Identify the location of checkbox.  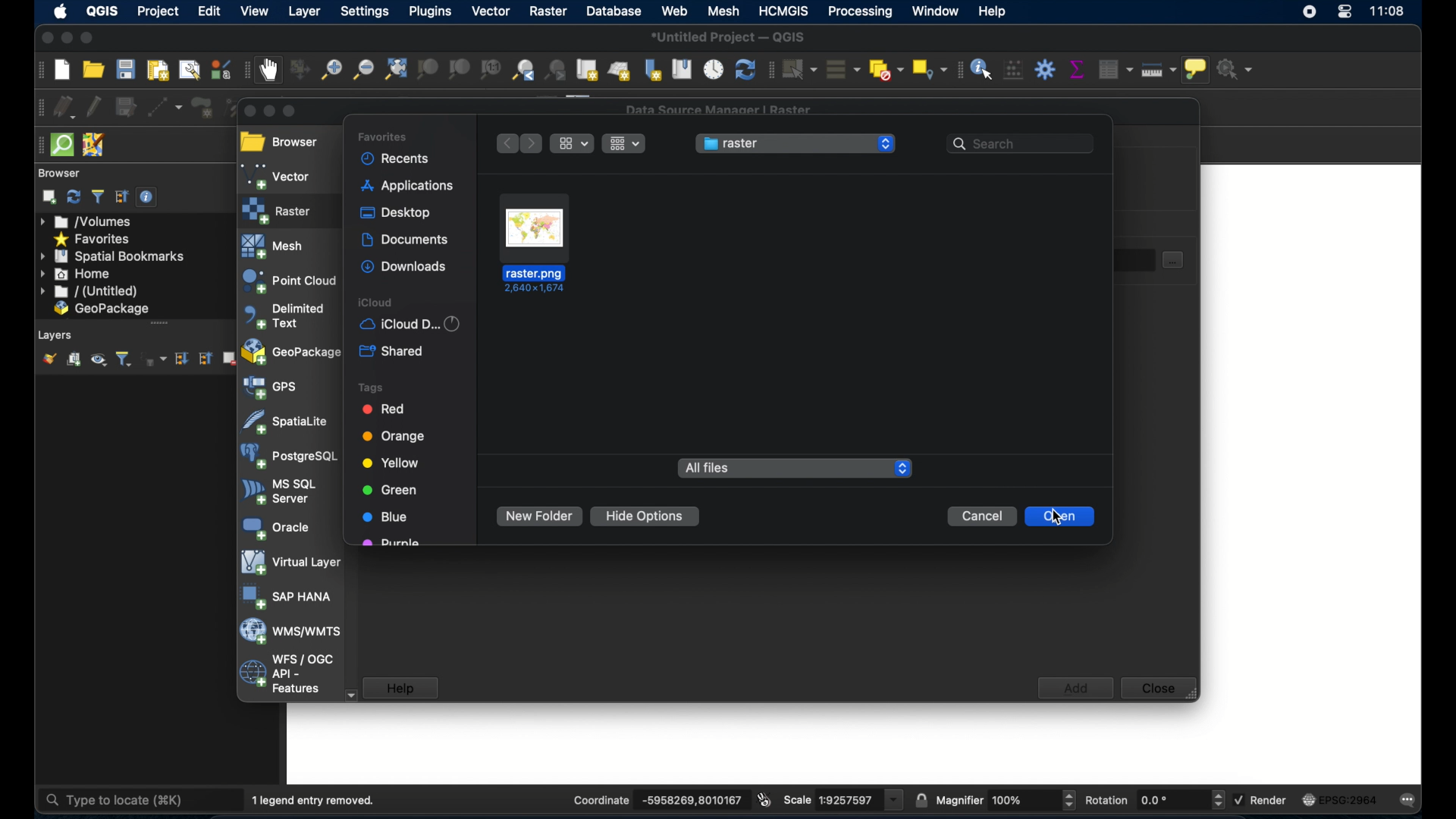
(1238, 799).